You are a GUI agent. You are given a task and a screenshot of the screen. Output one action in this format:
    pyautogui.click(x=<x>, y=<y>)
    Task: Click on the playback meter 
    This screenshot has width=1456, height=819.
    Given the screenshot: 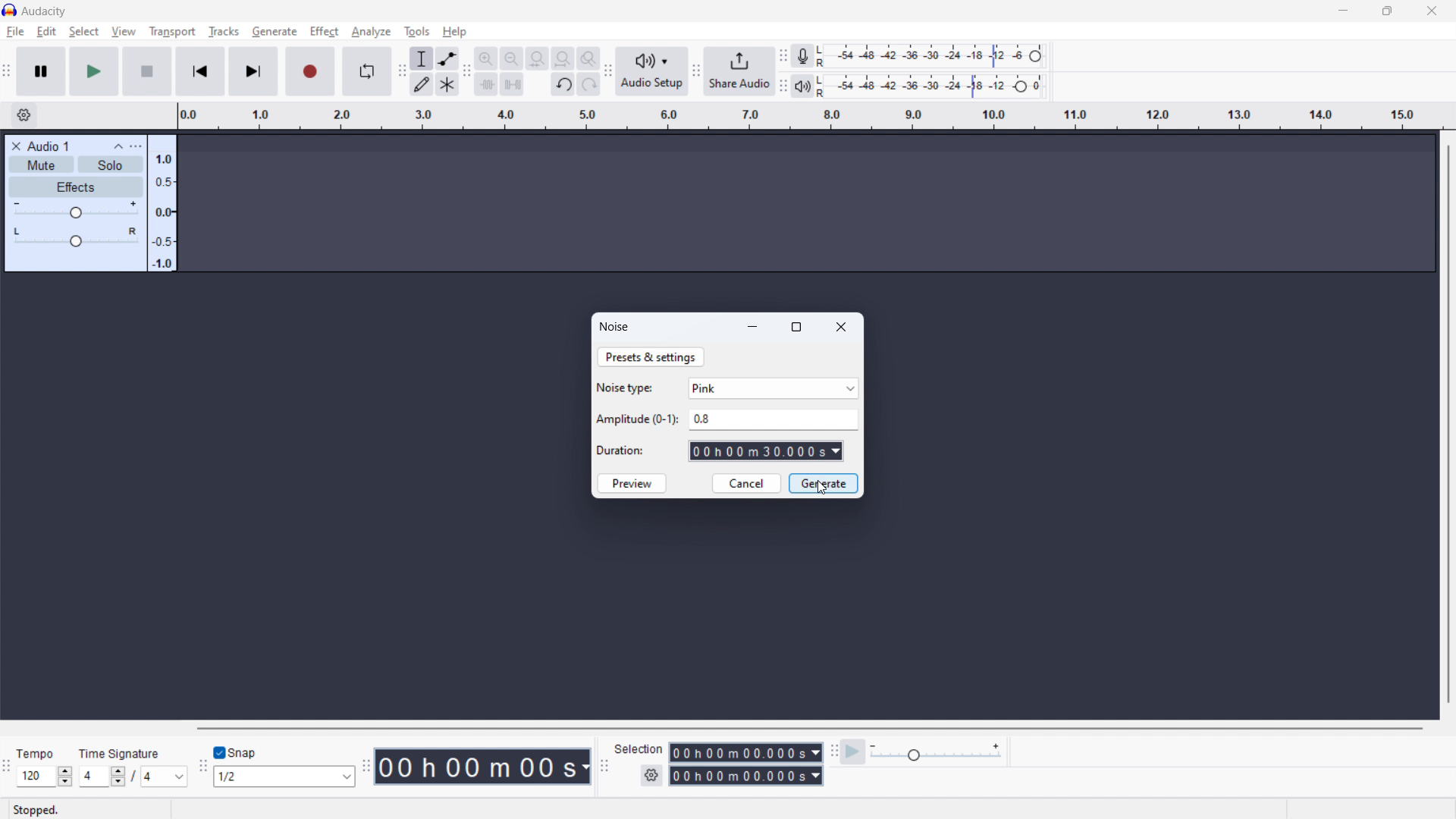 What is the action you would take?
    pyautogui.click(x=802, y=86)
    